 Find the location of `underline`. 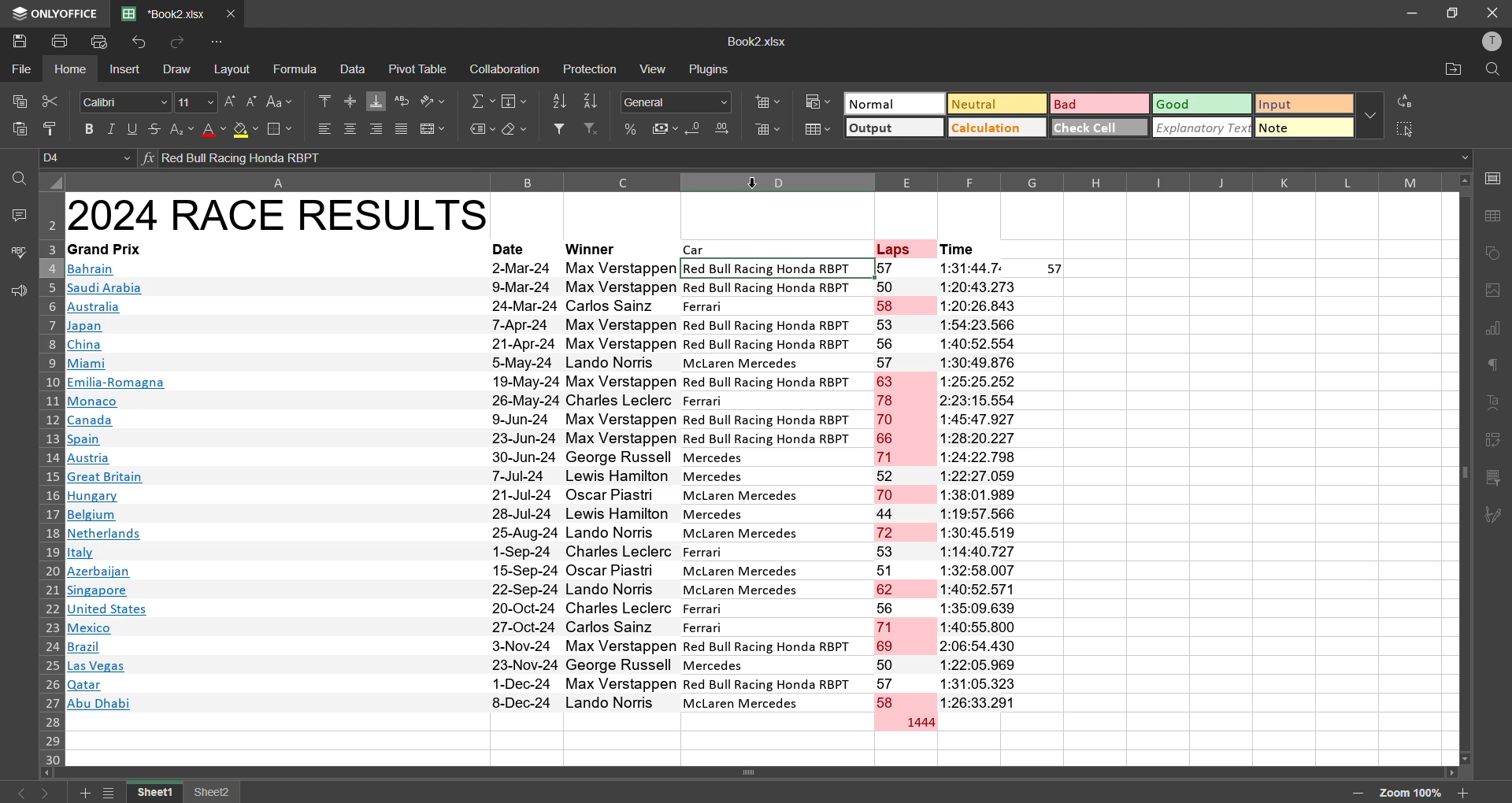

underline is located at coordinates (133, 128).